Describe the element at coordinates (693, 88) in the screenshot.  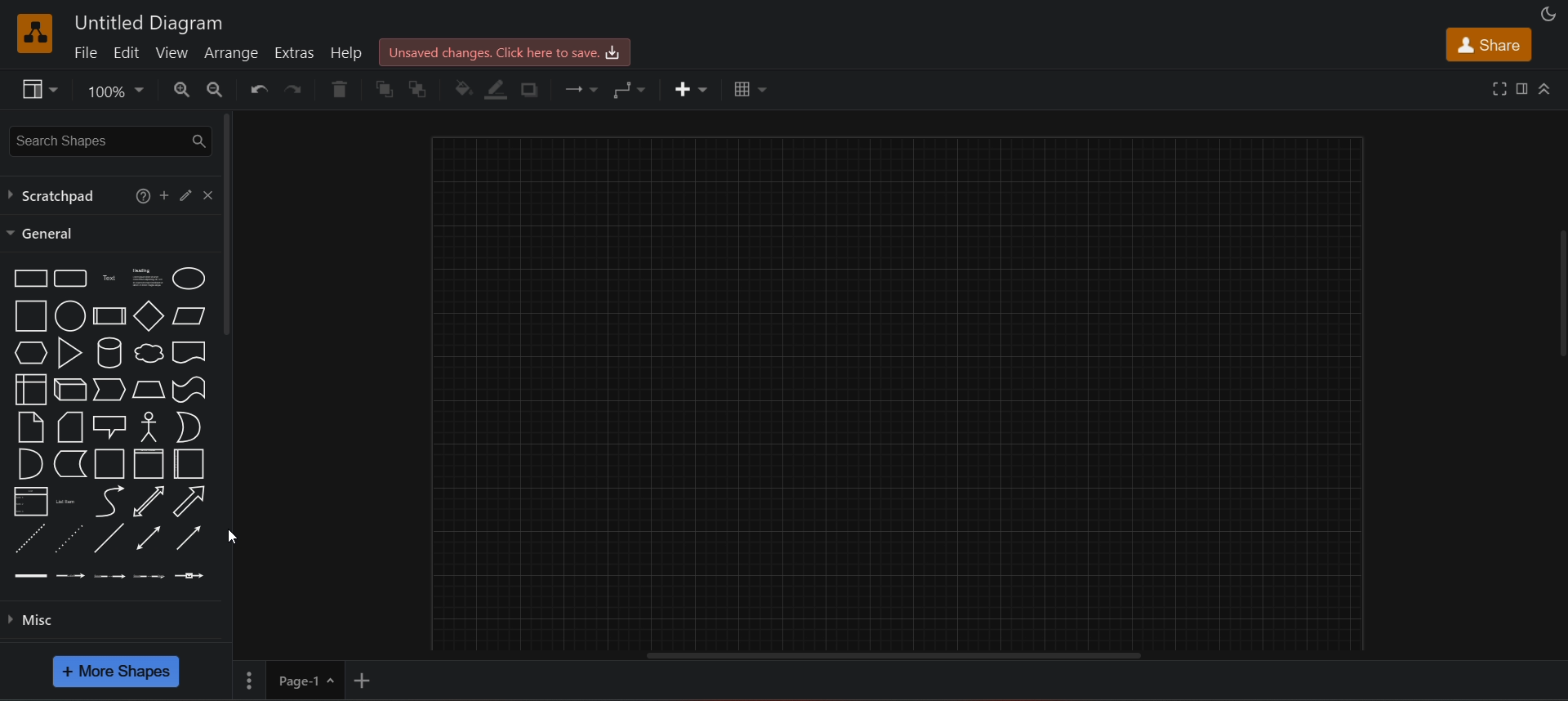
I see `insert` at that location.